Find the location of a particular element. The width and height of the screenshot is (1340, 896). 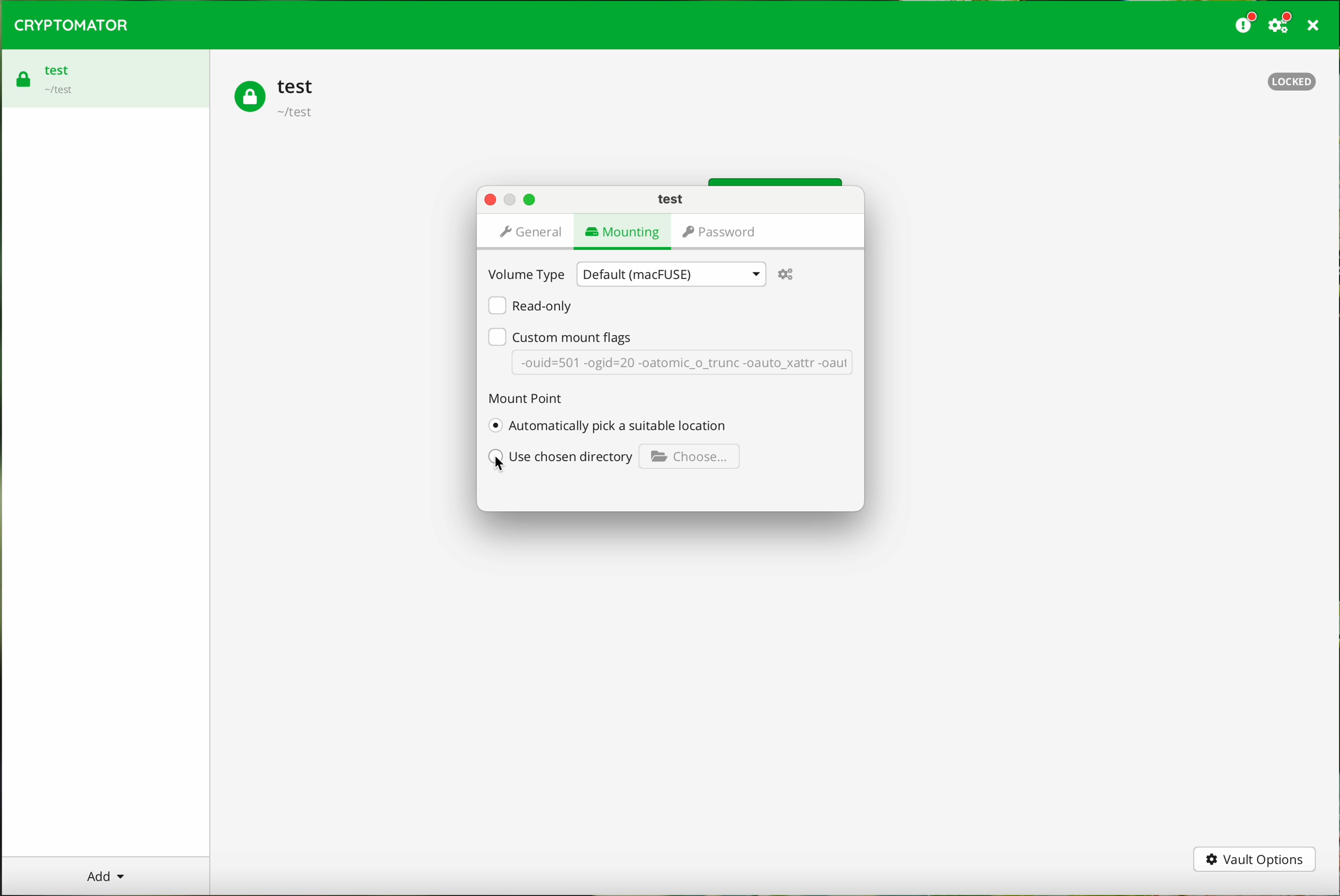

close is located at coordinates (1312, 25).